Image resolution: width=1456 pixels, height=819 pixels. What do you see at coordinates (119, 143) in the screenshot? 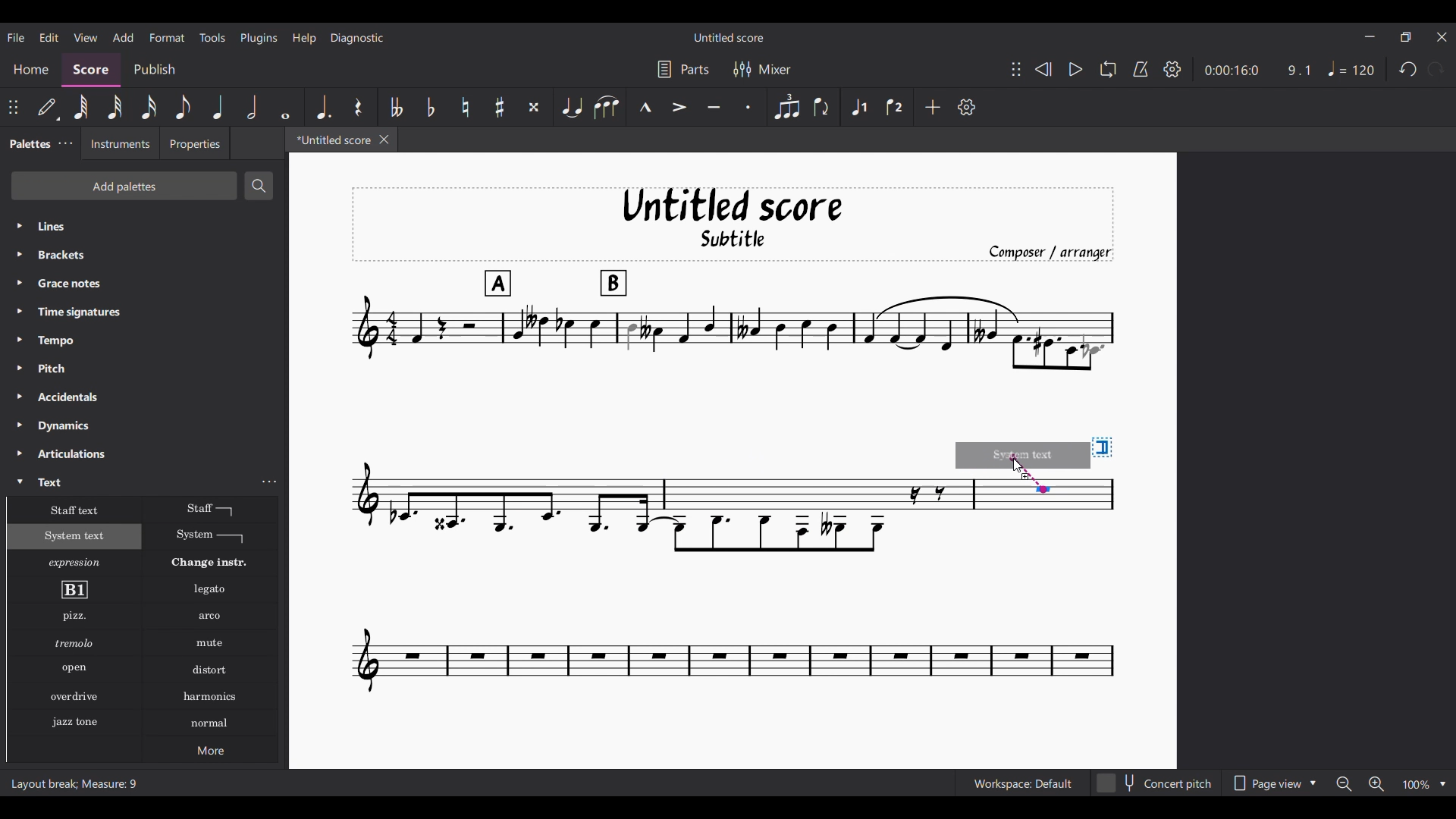
I see `Instruments` at bounding box center [119, 143].